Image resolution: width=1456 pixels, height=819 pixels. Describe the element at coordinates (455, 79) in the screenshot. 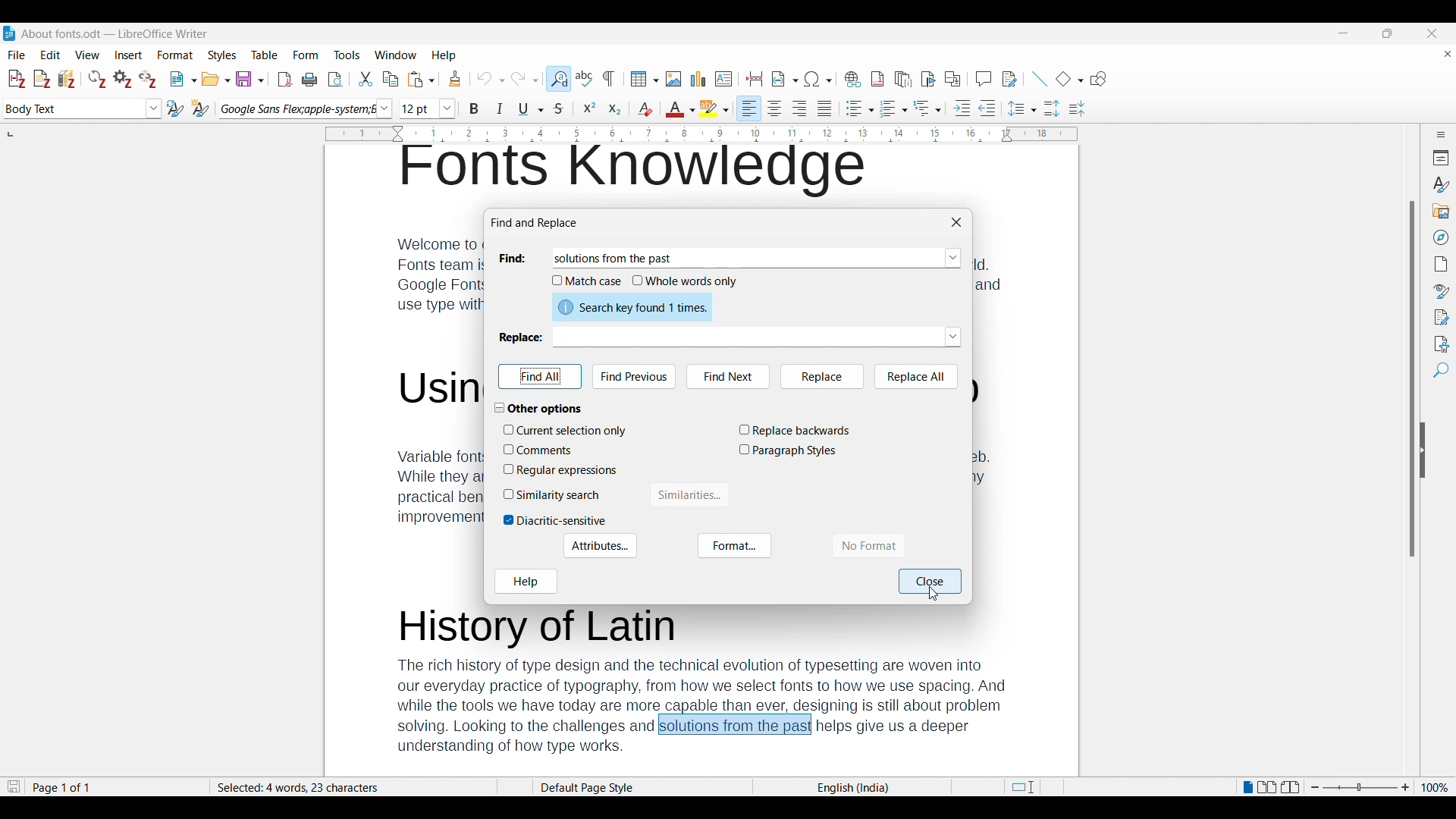

I see `Clone formatting of selected text` at that location.